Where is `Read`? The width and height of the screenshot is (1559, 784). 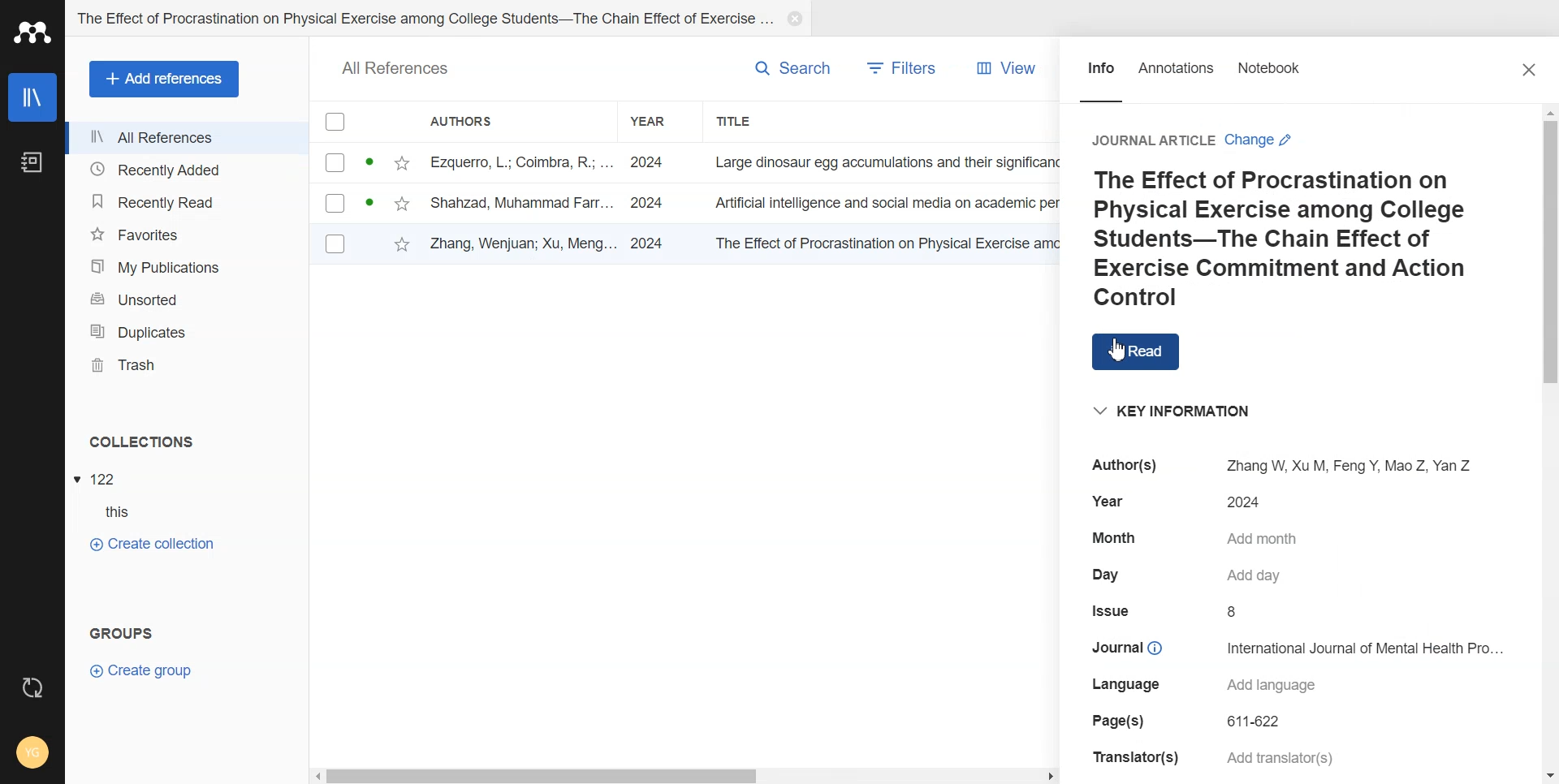
Read is located at coordinates (1145, 351).